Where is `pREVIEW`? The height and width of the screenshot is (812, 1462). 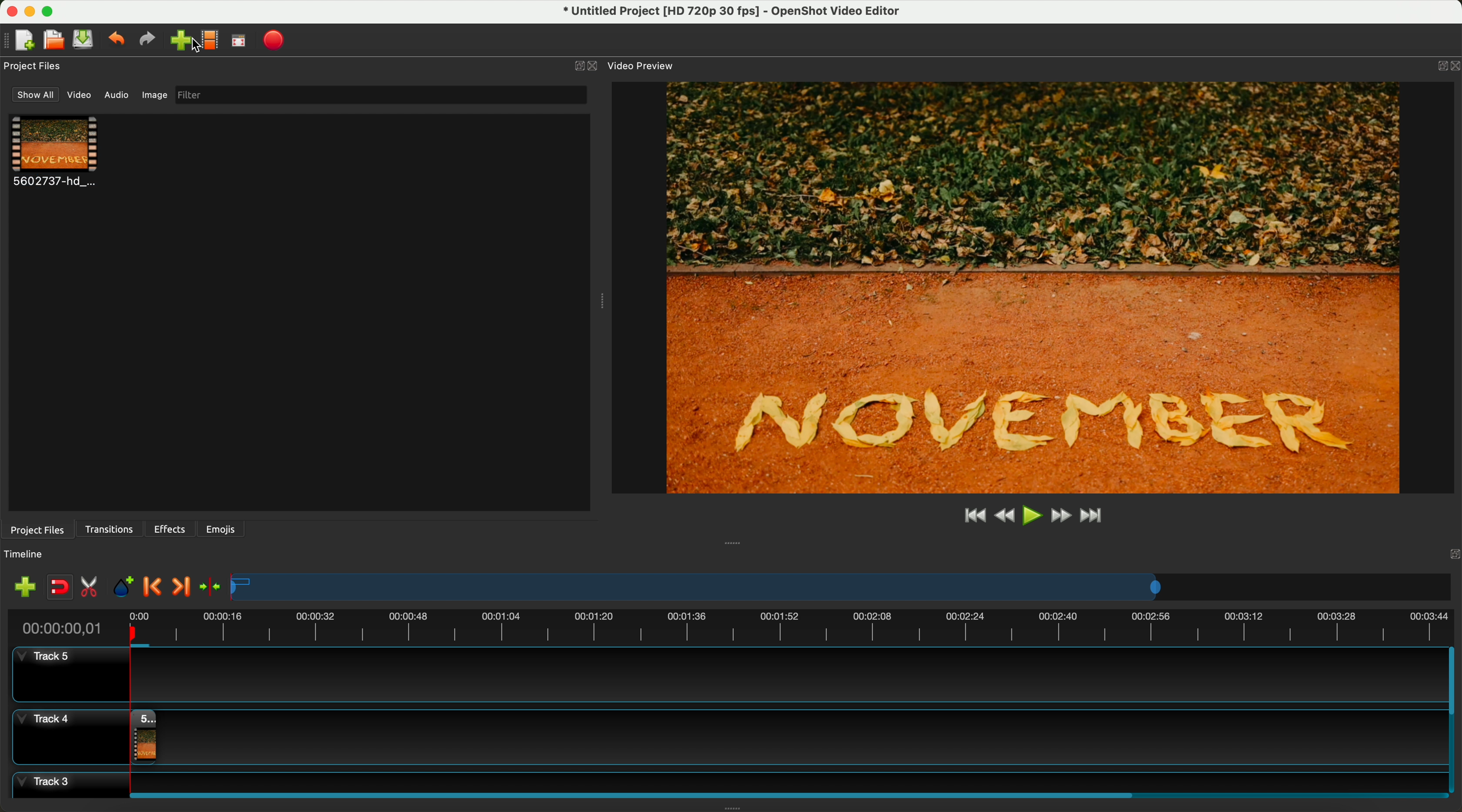
pREVIEW is located at coordinates (1039, 287).